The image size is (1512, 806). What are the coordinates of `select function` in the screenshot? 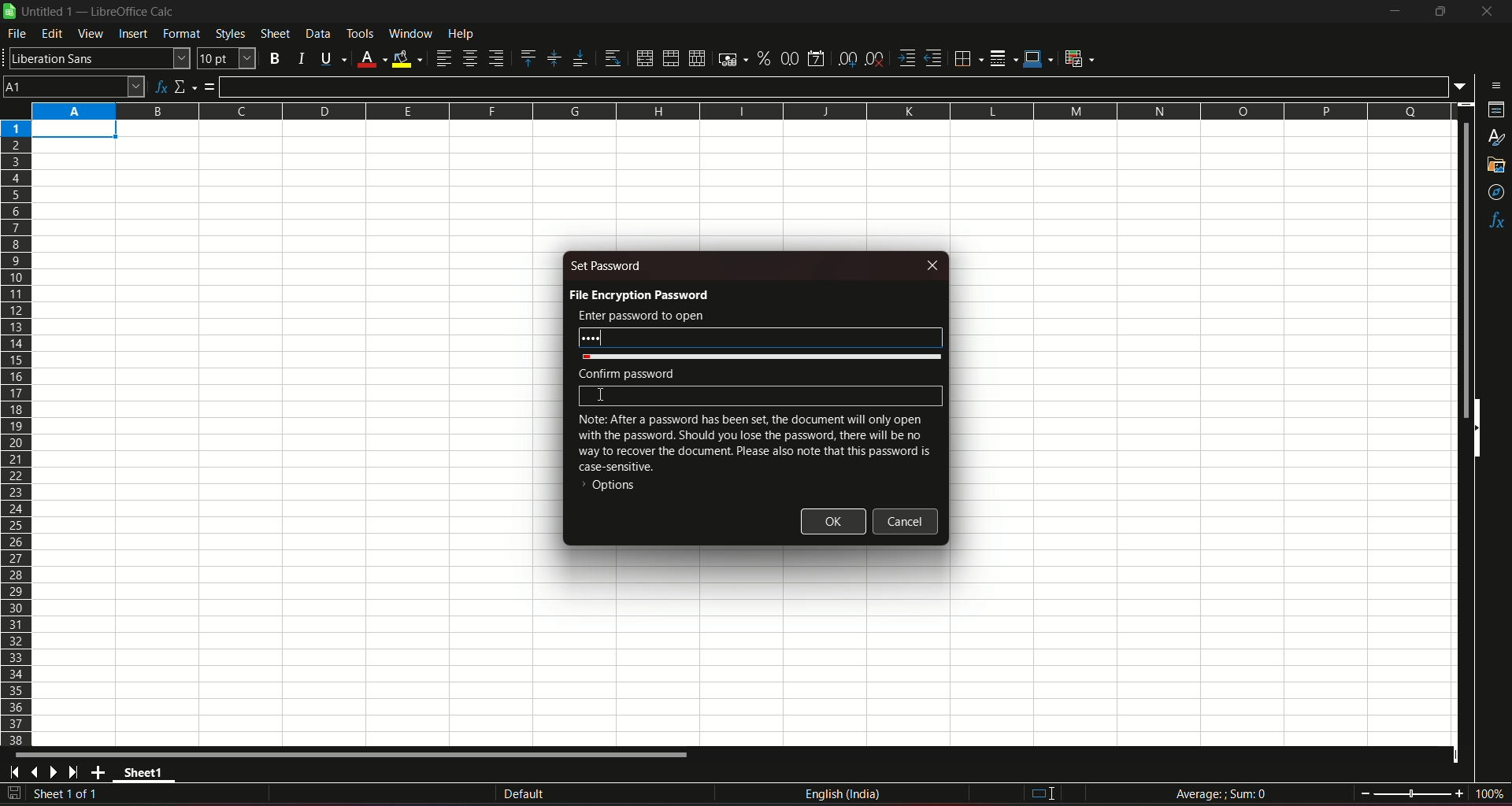 It's located at (186, 85).